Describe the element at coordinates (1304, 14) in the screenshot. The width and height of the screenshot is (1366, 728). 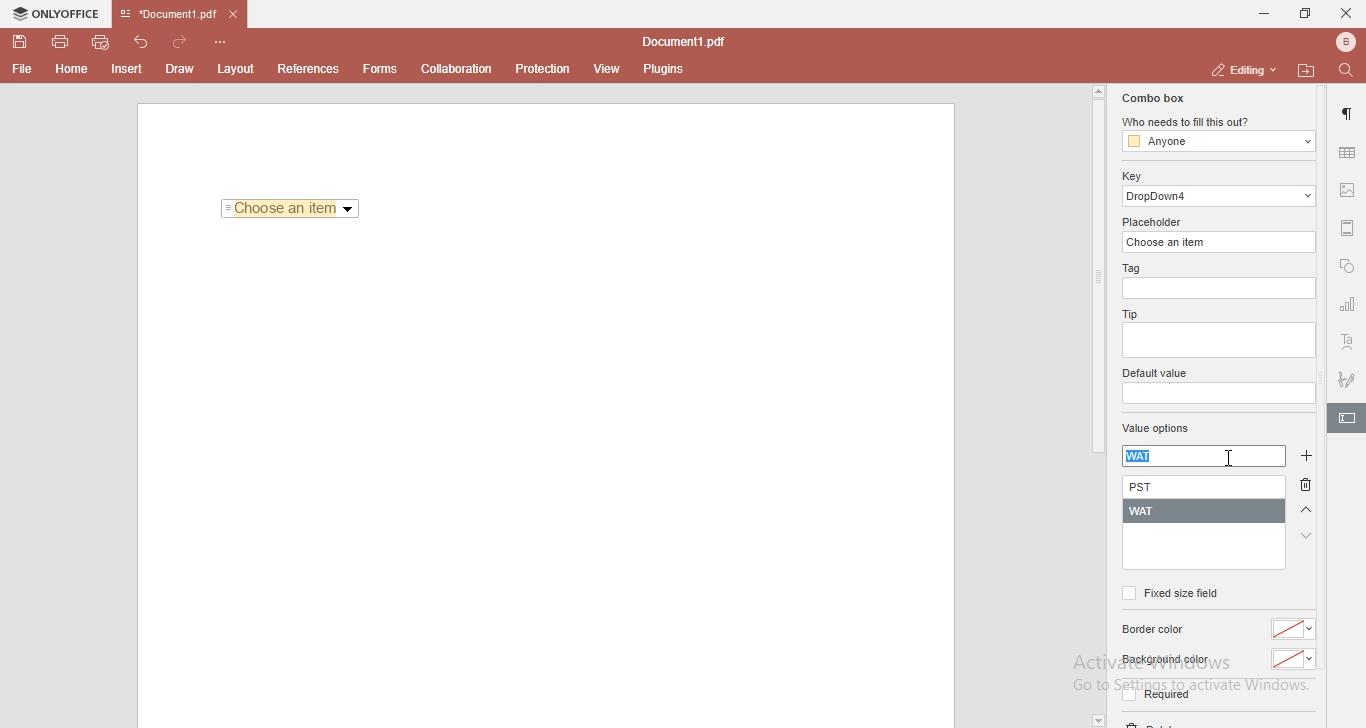
I see `restore` at that location.